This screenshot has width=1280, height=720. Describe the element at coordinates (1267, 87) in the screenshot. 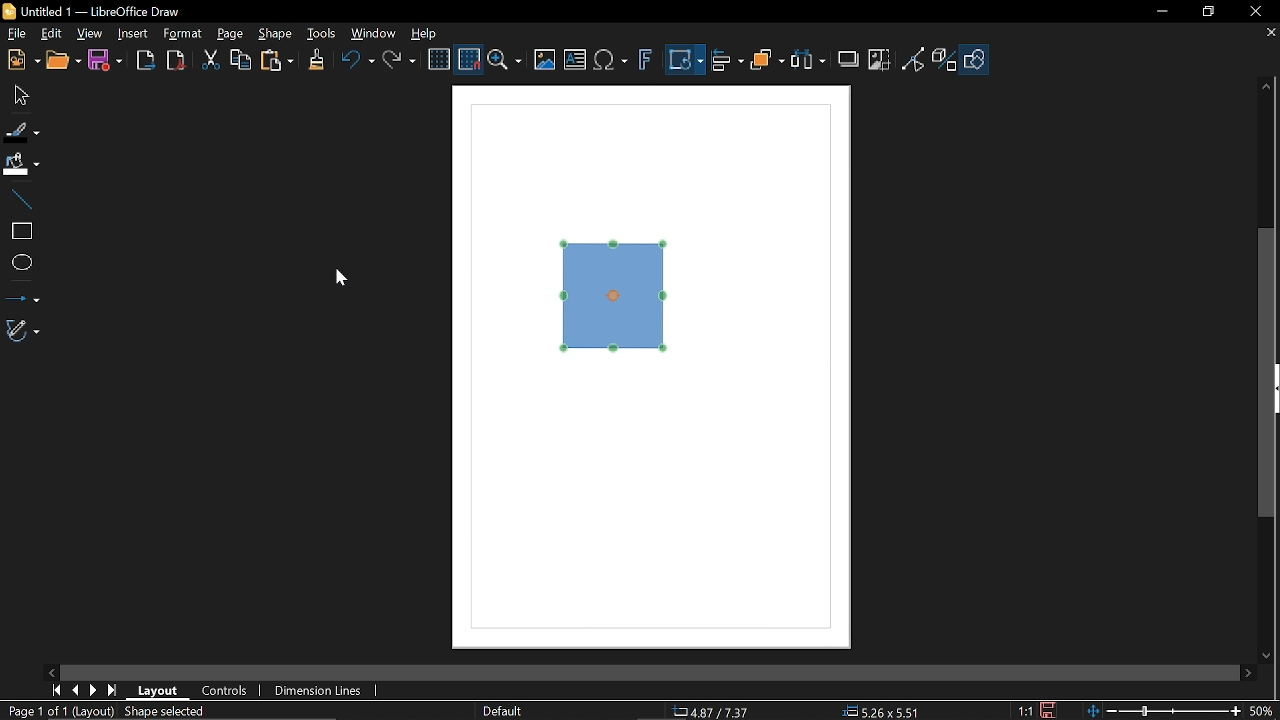

I see `Move up` at that location.